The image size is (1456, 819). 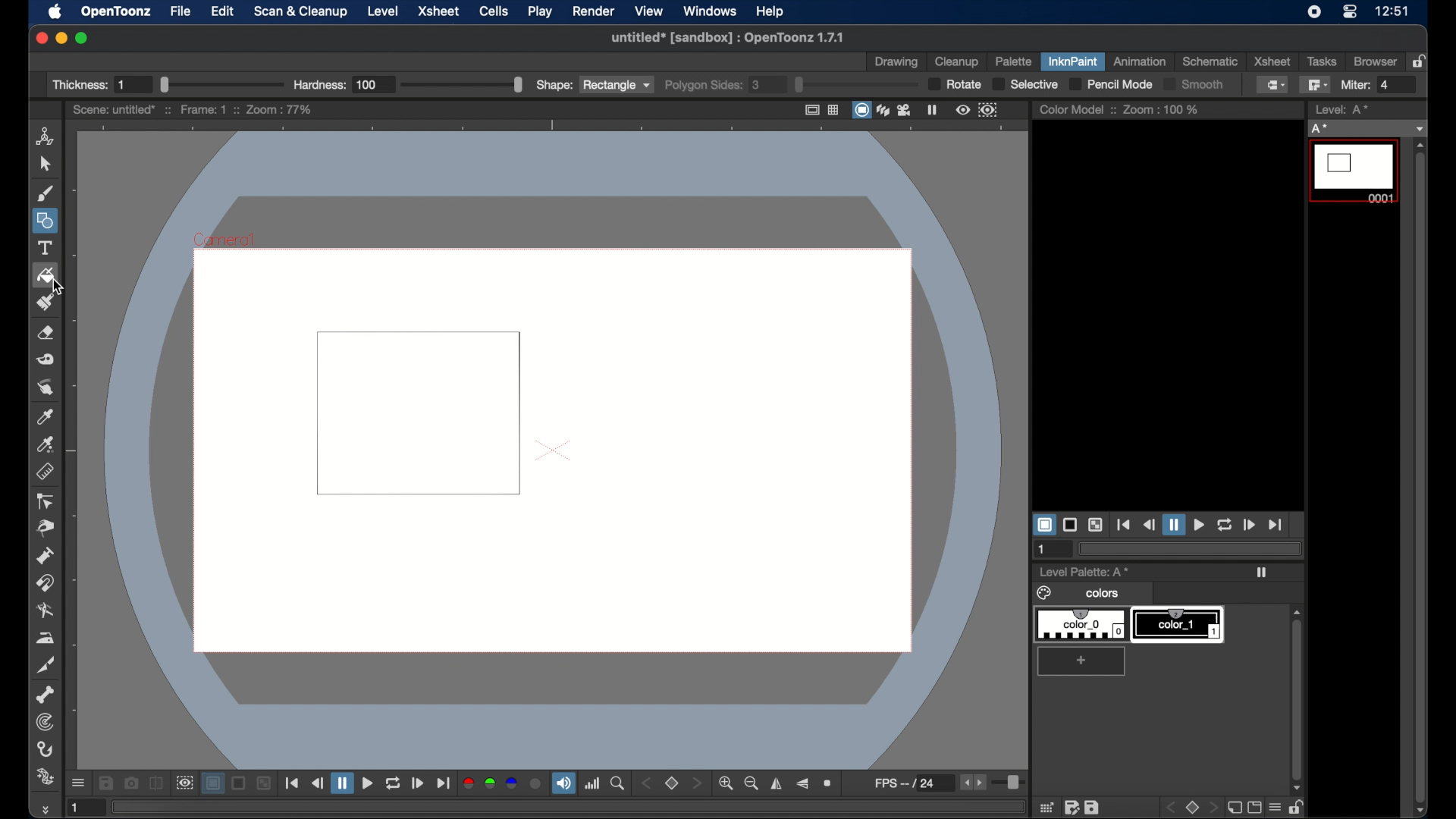 I want to click on colors, so click(x=1080, y=594).